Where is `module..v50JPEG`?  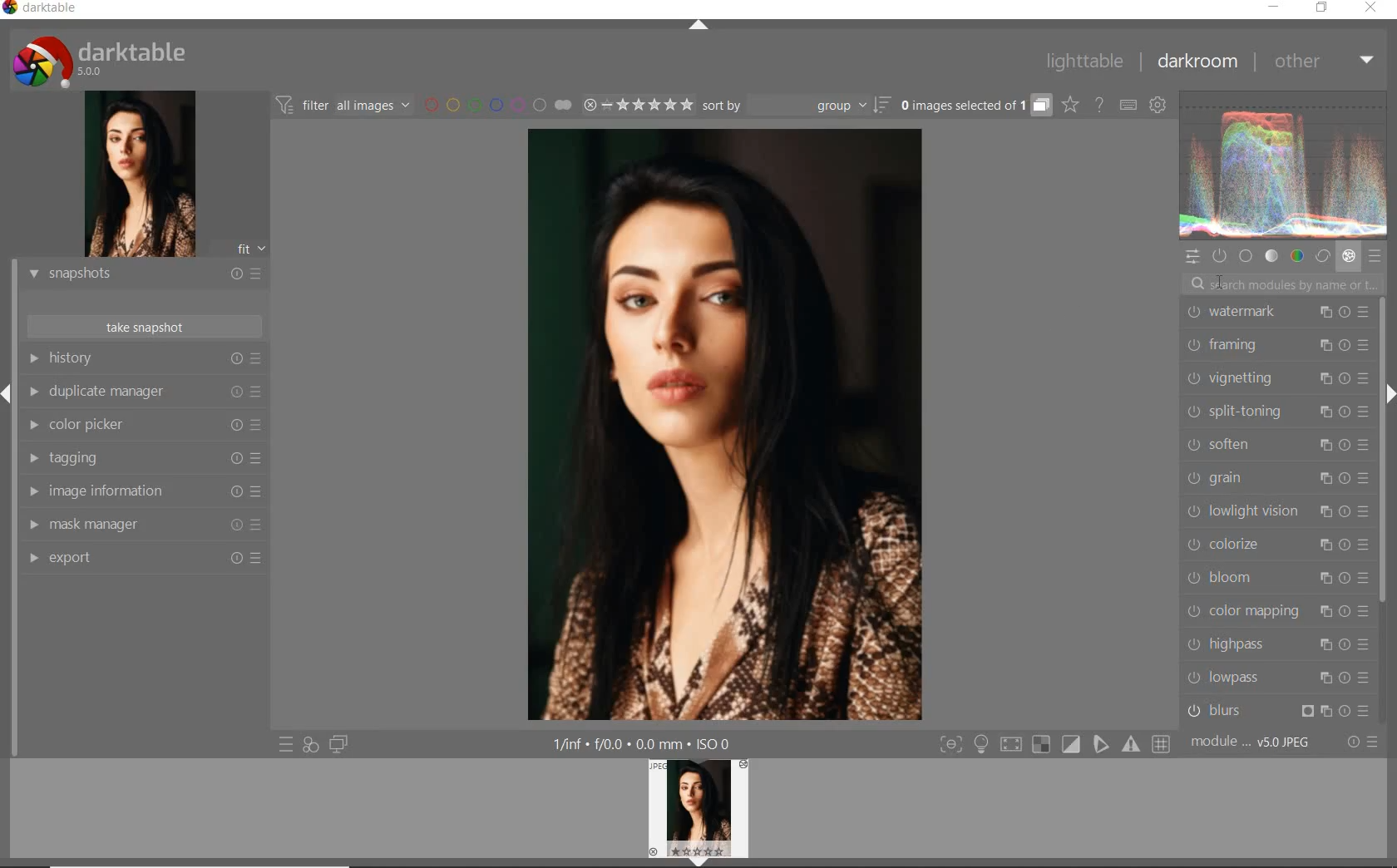 module..v50JPEG is located at coordinates (1251, 741).